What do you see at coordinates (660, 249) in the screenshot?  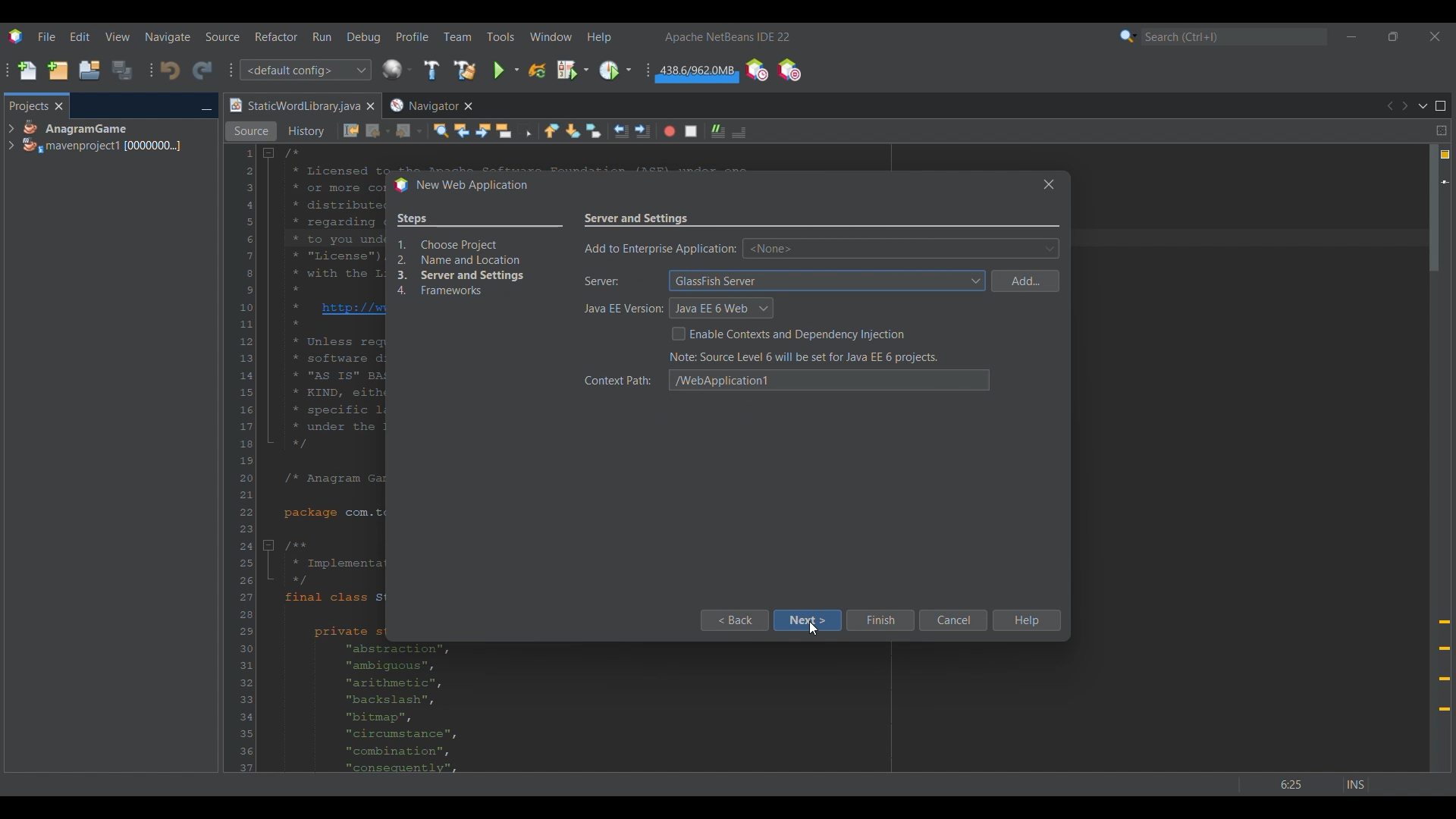 I see `Indicates enterprise application options` at bounding box center [660, 249].